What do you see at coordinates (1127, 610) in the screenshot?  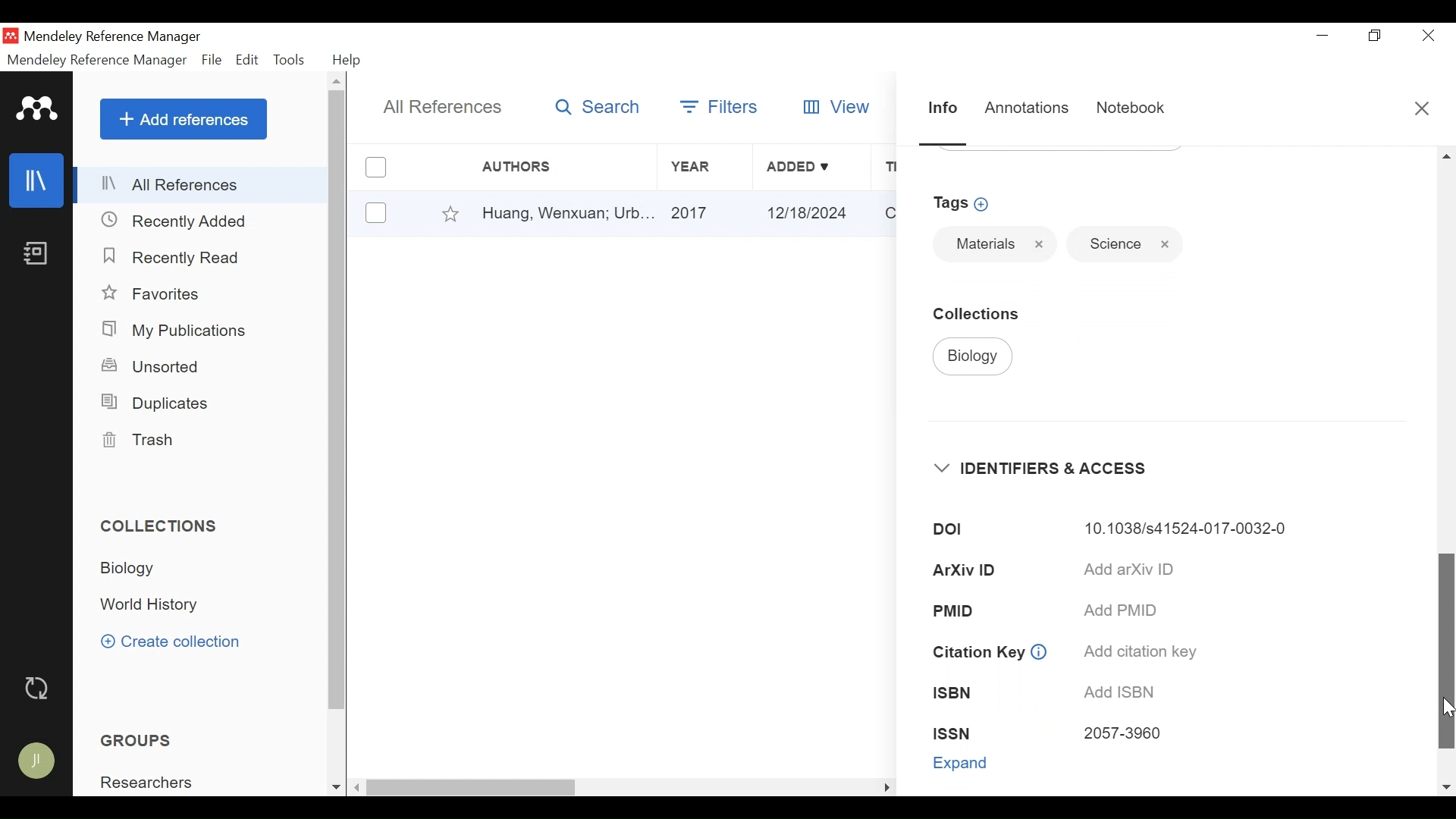 I see `Add PMID` at bounding box center [1127, 610].